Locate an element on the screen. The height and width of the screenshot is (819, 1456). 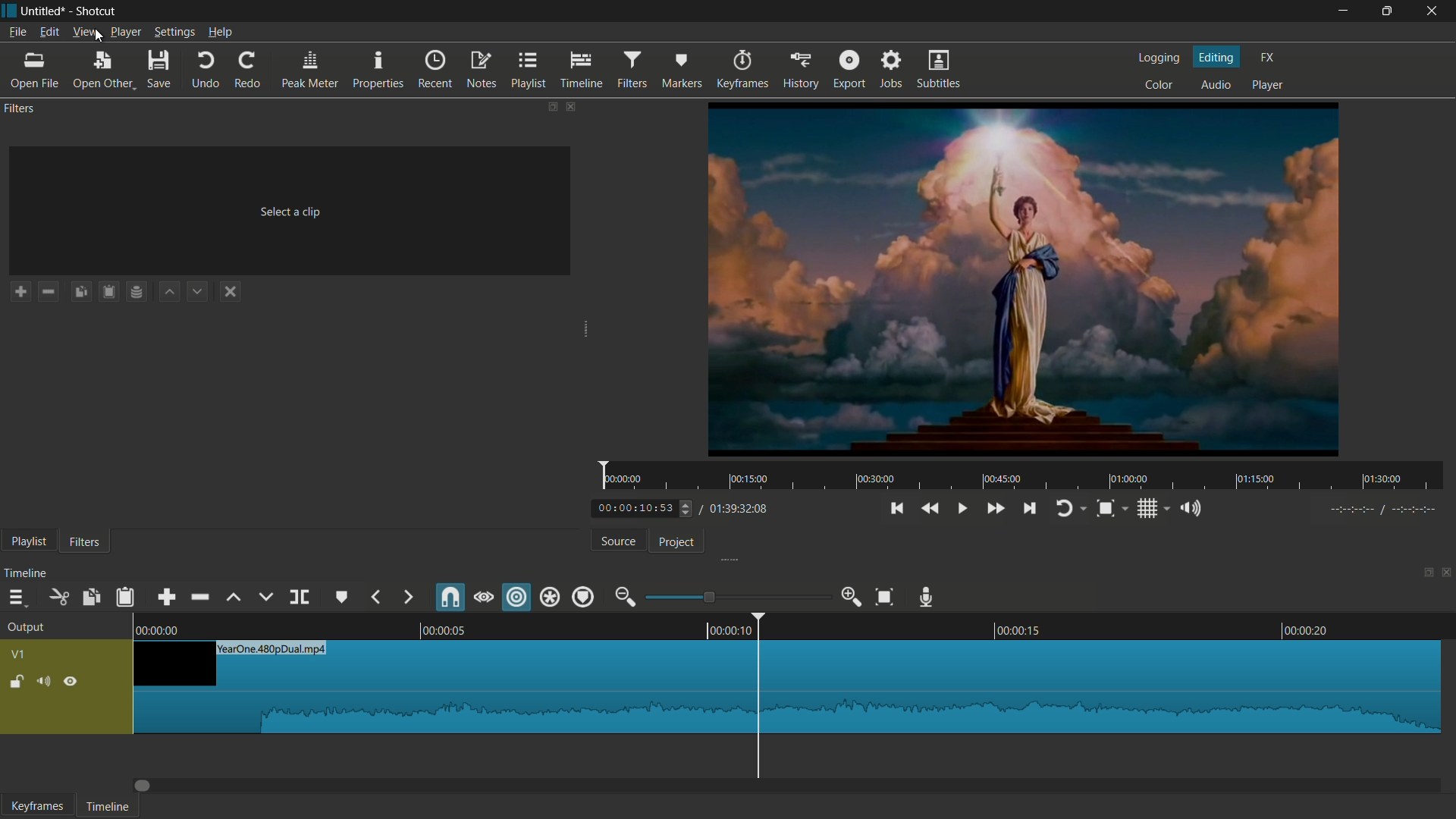
settings menu is located at coordinates (174, 33).